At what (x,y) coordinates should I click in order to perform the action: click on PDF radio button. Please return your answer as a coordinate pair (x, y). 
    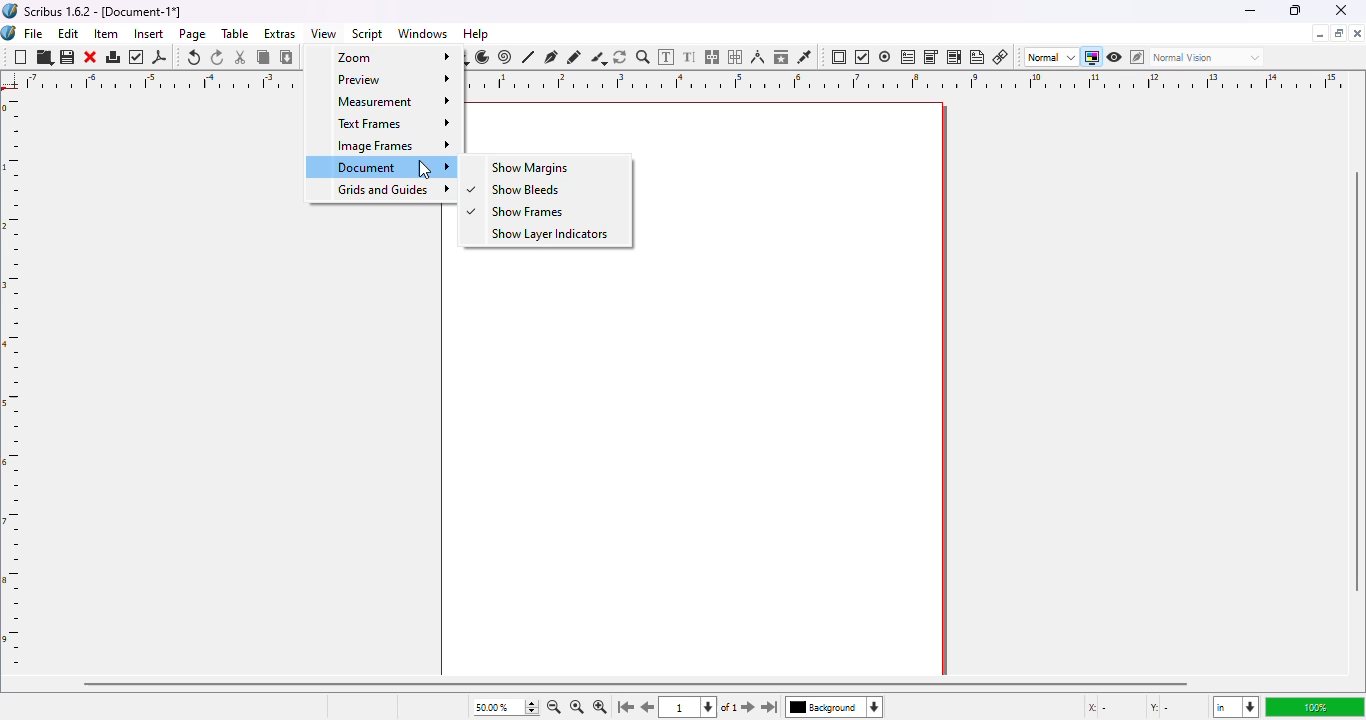
    Looking at the image, I should click on (885, 57).